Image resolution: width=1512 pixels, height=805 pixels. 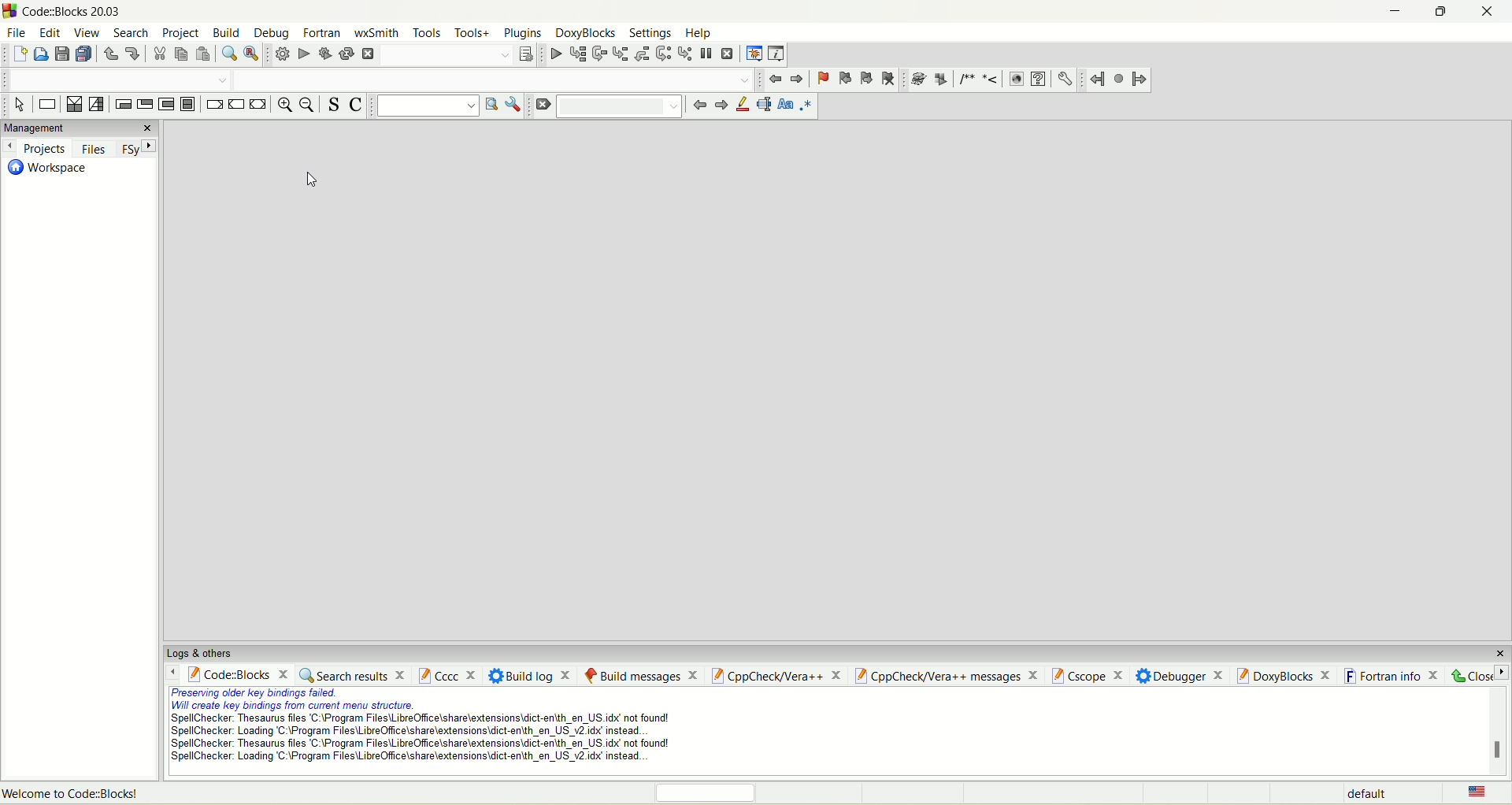 I want to click on exit condition loop, so click(x=145, y=106).